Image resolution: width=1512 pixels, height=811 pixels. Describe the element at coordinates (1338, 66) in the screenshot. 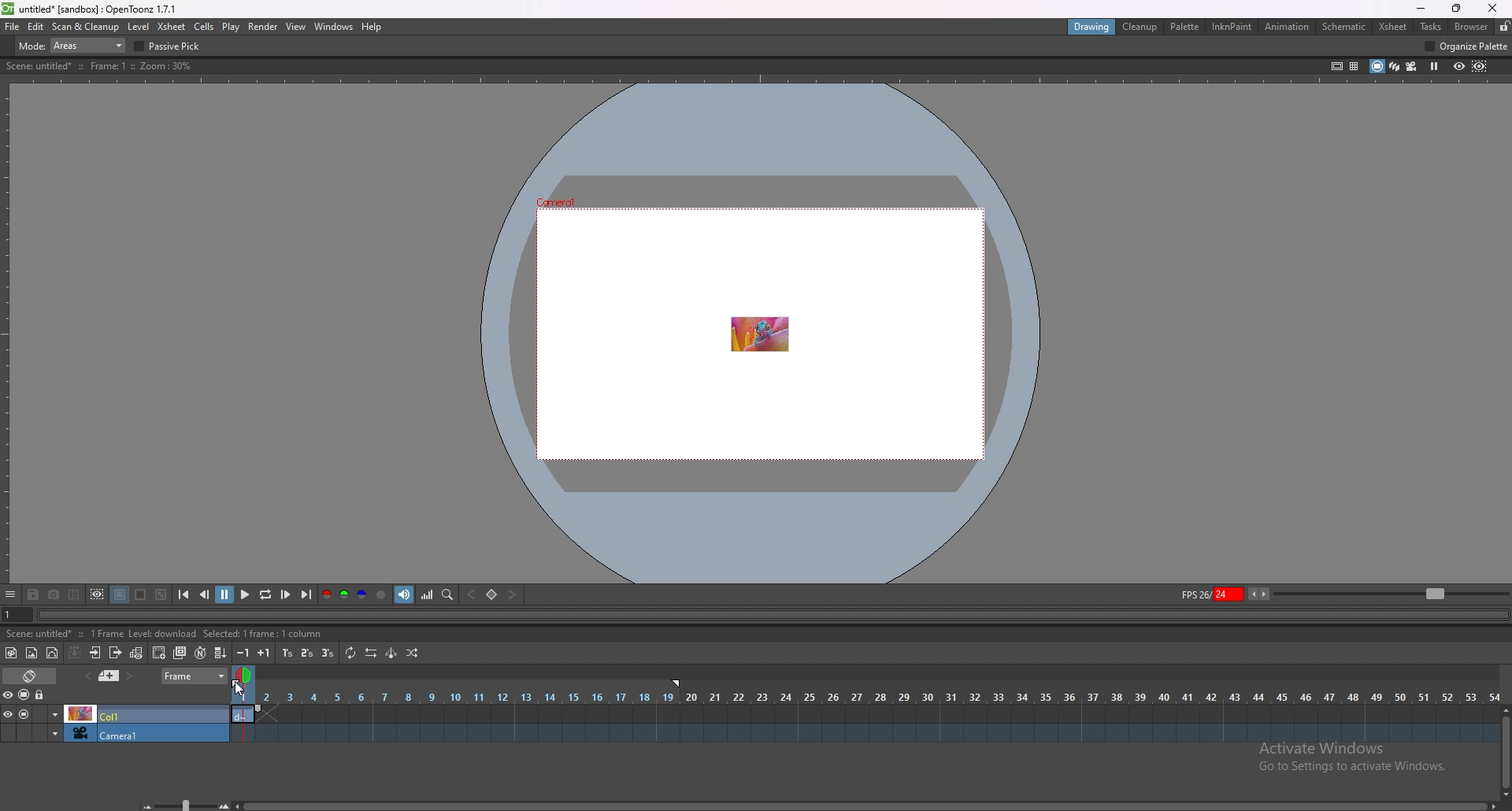

I see `safe area` at that location.